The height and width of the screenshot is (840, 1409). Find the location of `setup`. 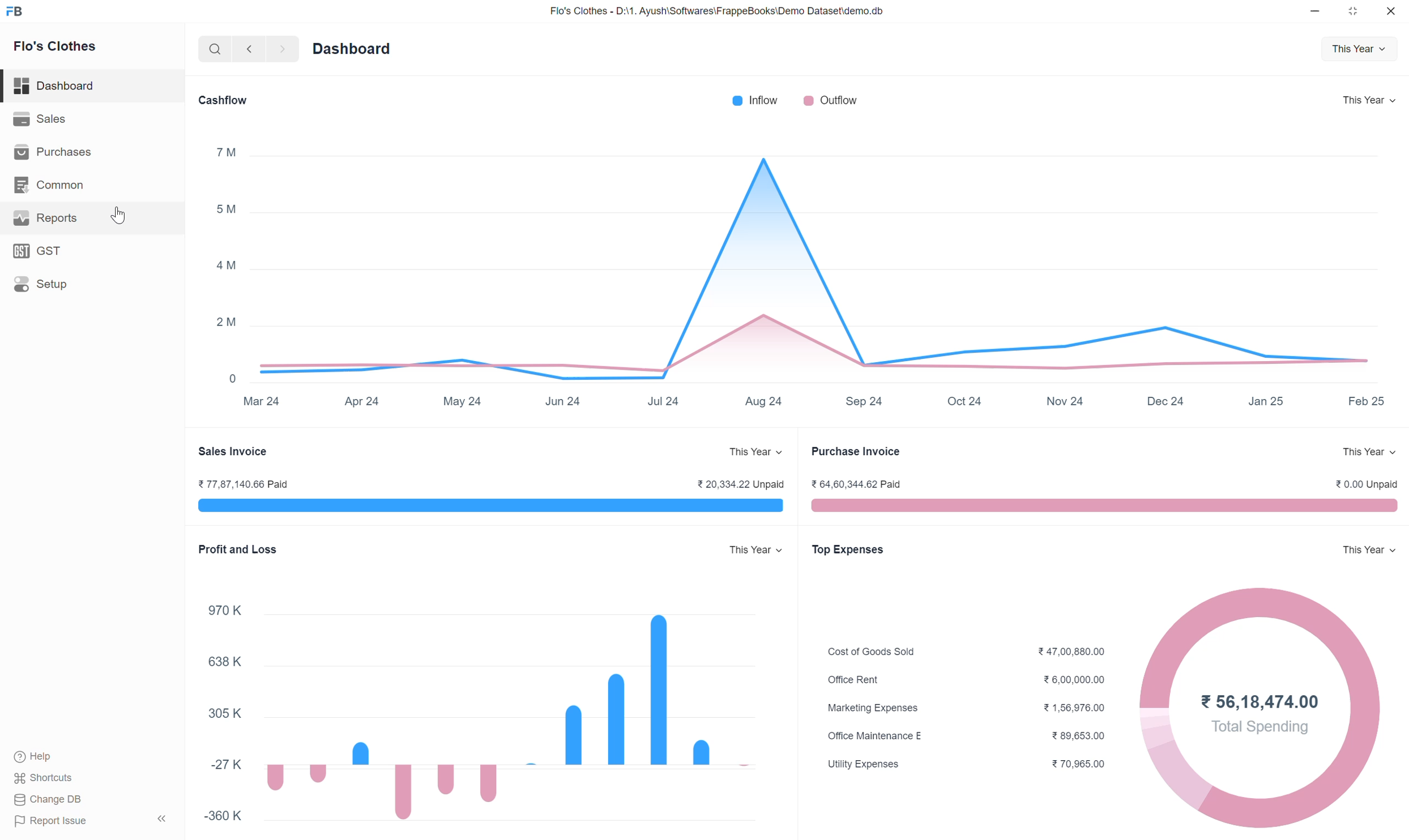

setup is located at coordinates (93, 285).